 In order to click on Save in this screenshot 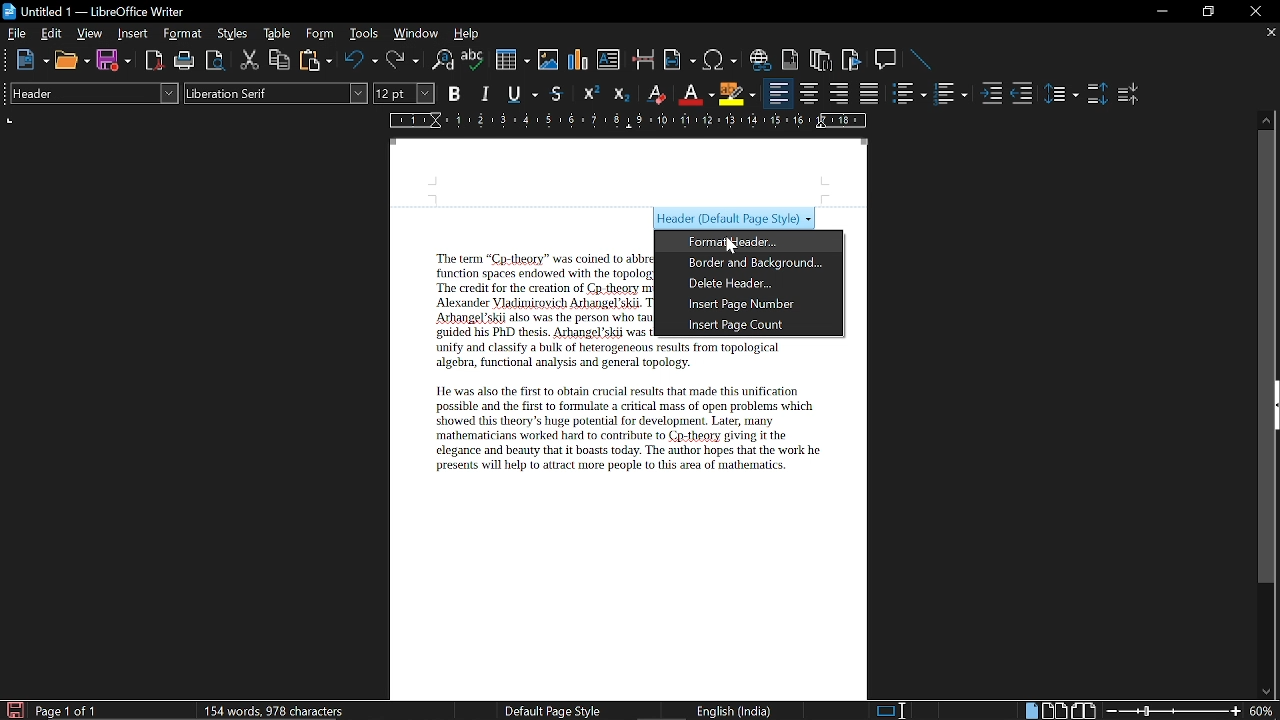, I will do `click(114, 61)`.